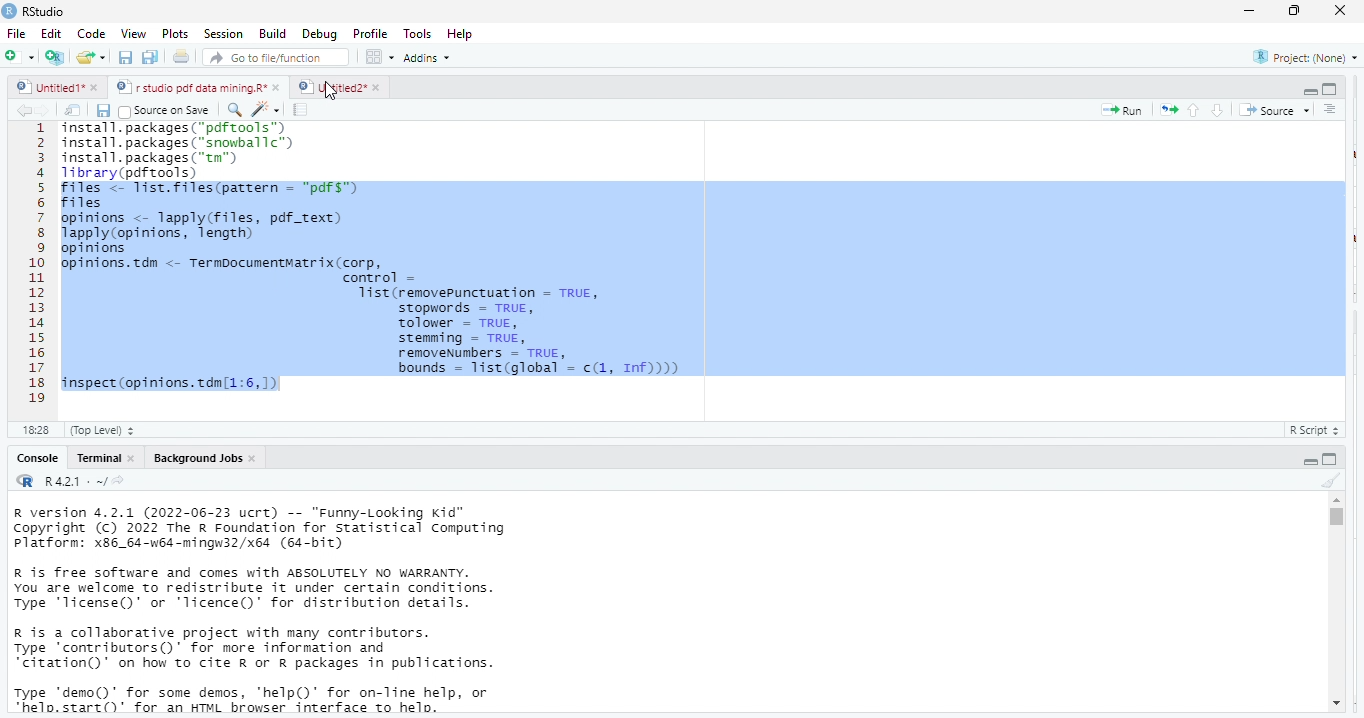 The width and height of the screenshot is (1364, 718). Describe the element at coordinates (1192, 110) in the screenshot. I see `go to previous section/chunk` at that location.